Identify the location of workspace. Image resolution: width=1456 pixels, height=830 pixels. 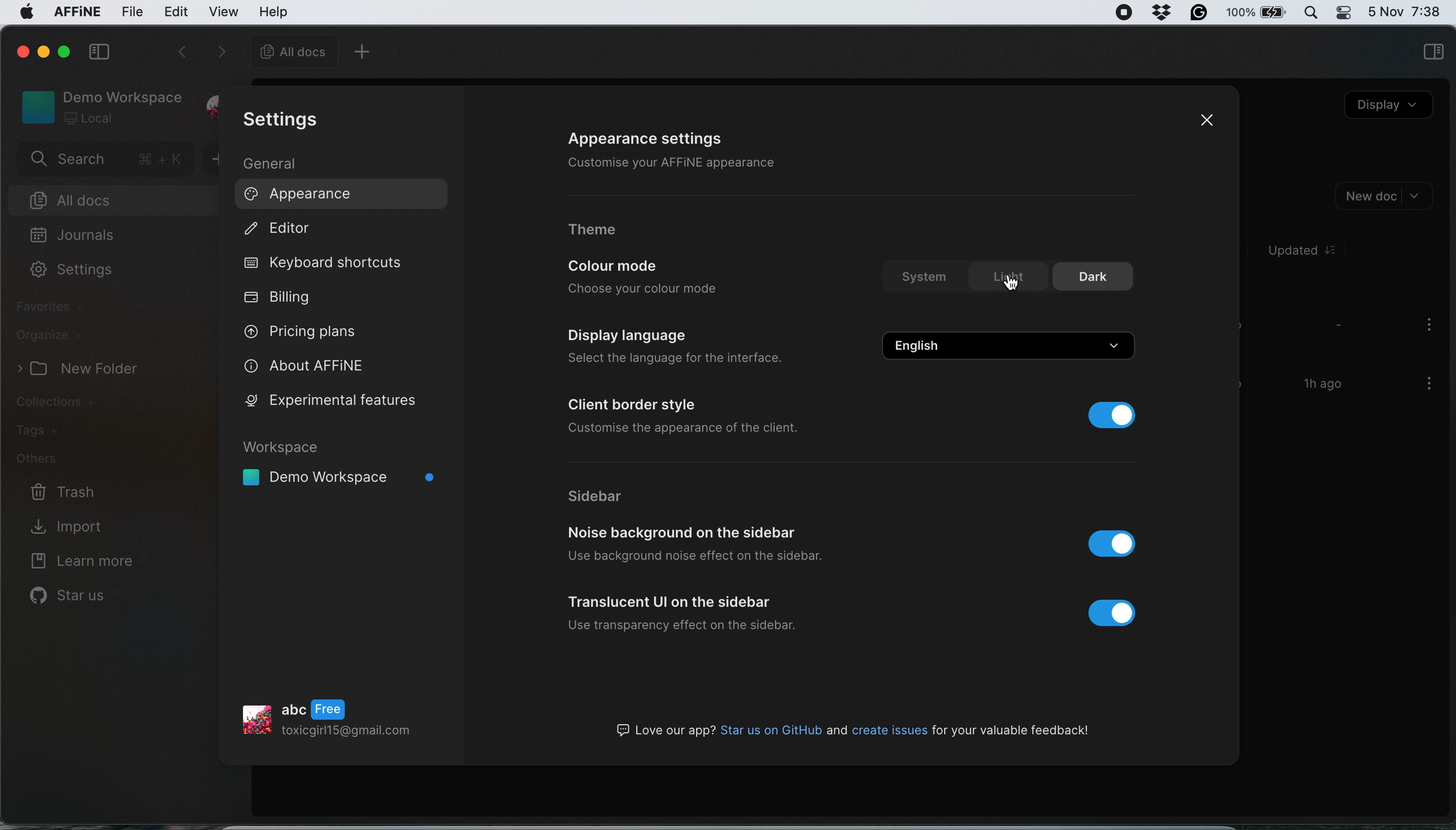
(100, 105).